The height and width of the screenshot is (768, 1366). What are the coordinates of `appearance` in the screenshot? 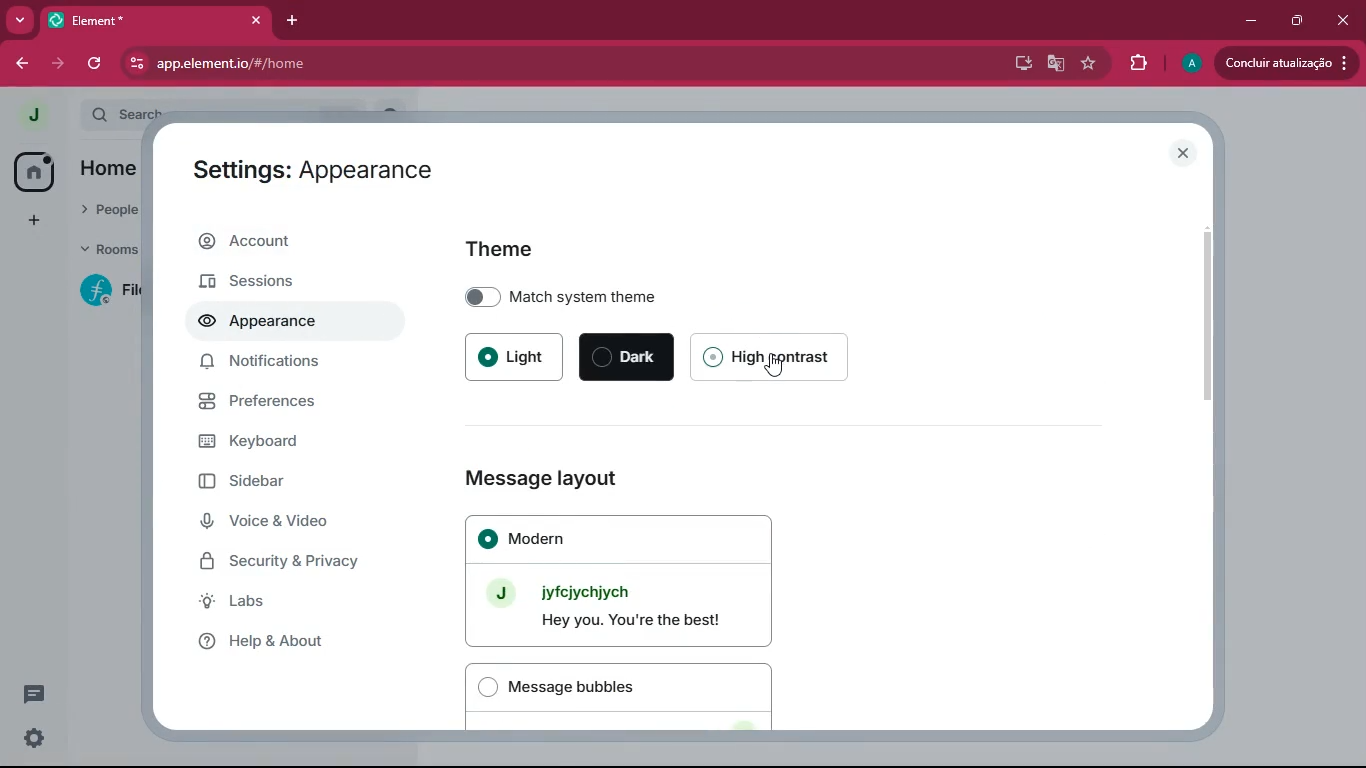 It's located at (273, 323).